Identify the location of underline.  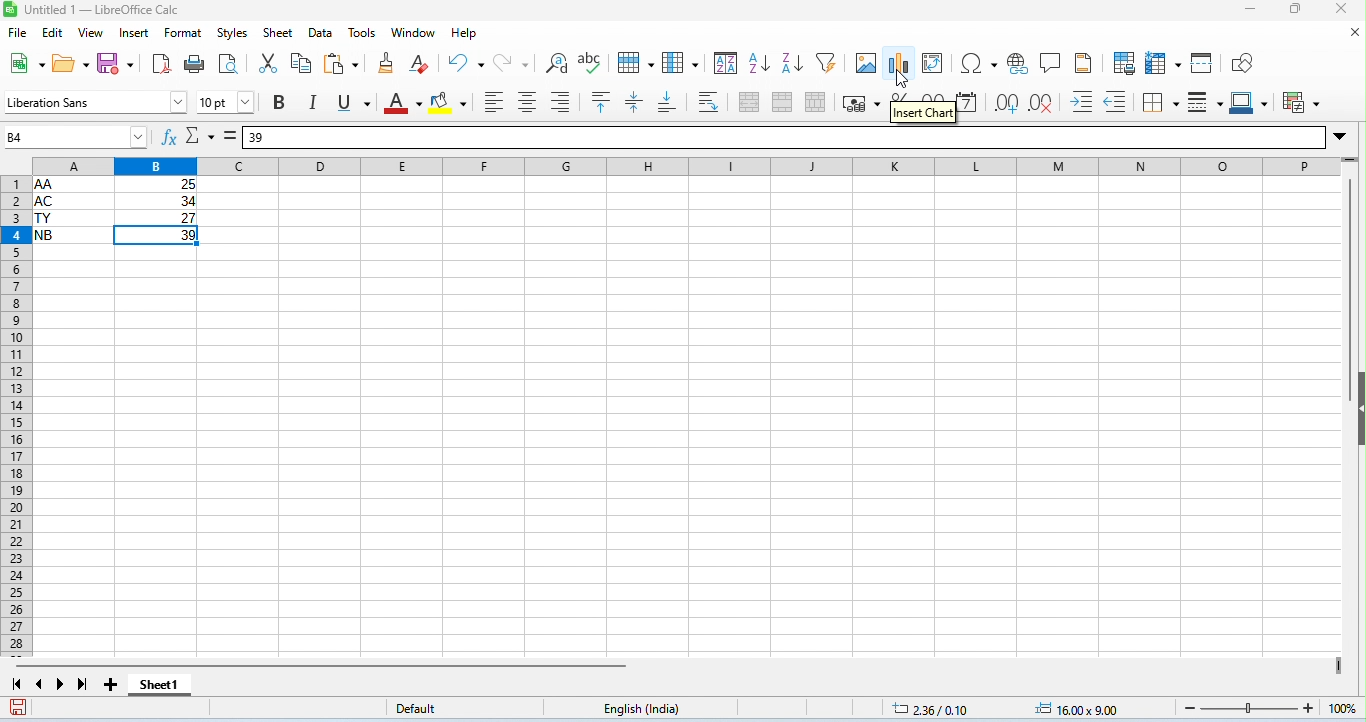
(353, 104).